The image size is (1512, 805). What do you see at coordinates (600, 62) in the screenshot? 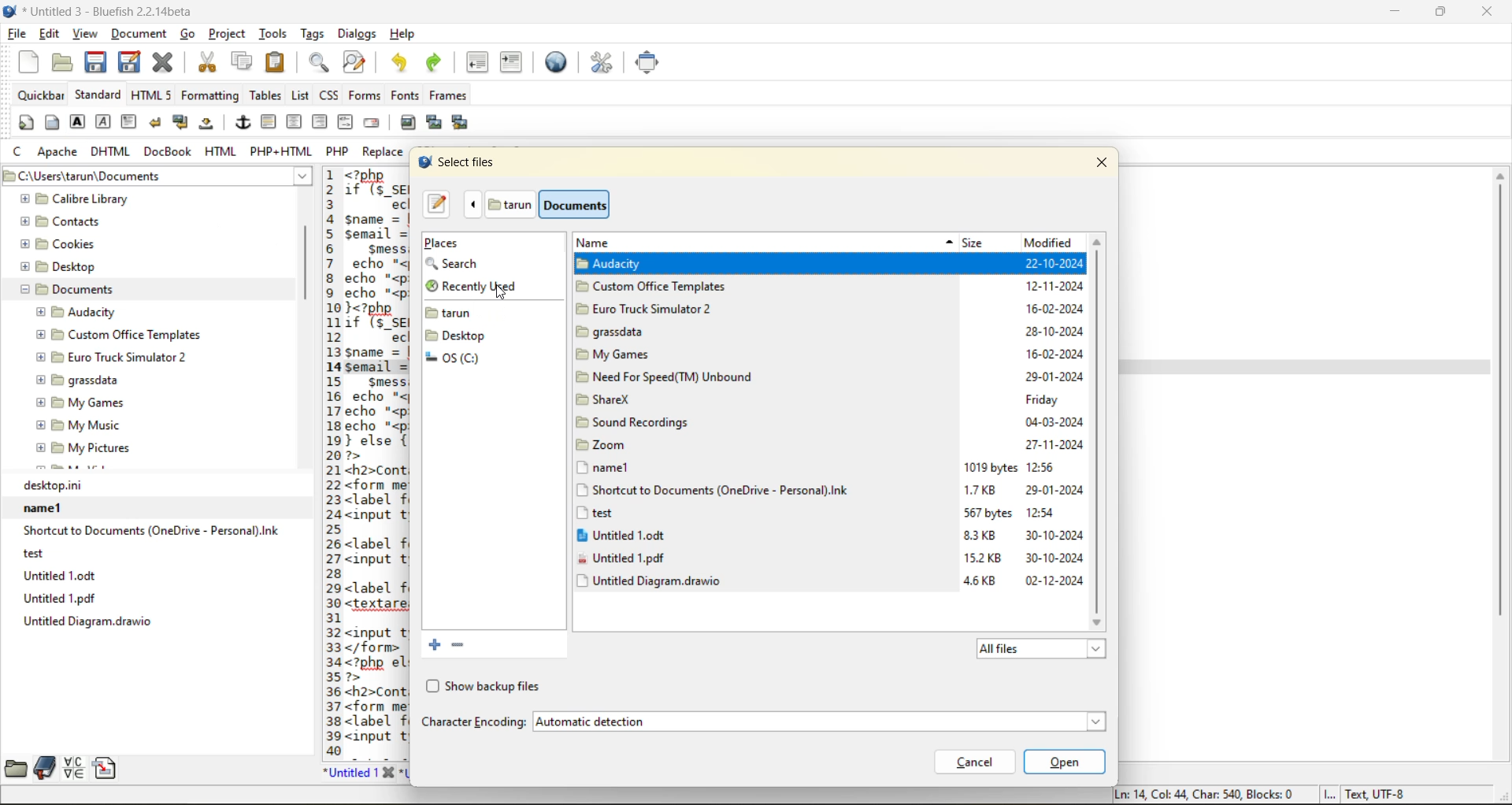
I see `edit preferences` at bounding box center [600, 62].